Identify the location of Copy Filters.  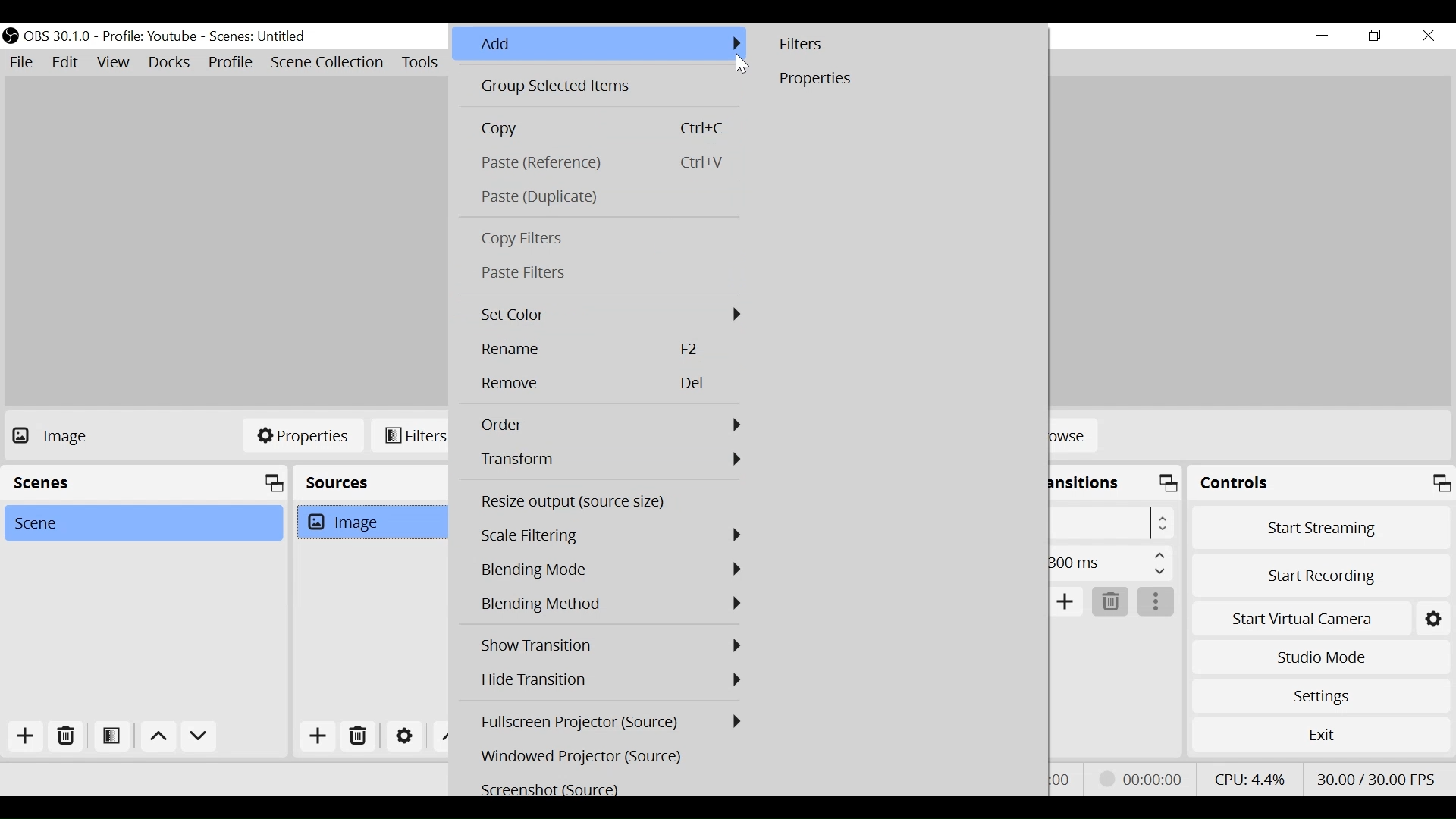
(604, 240).